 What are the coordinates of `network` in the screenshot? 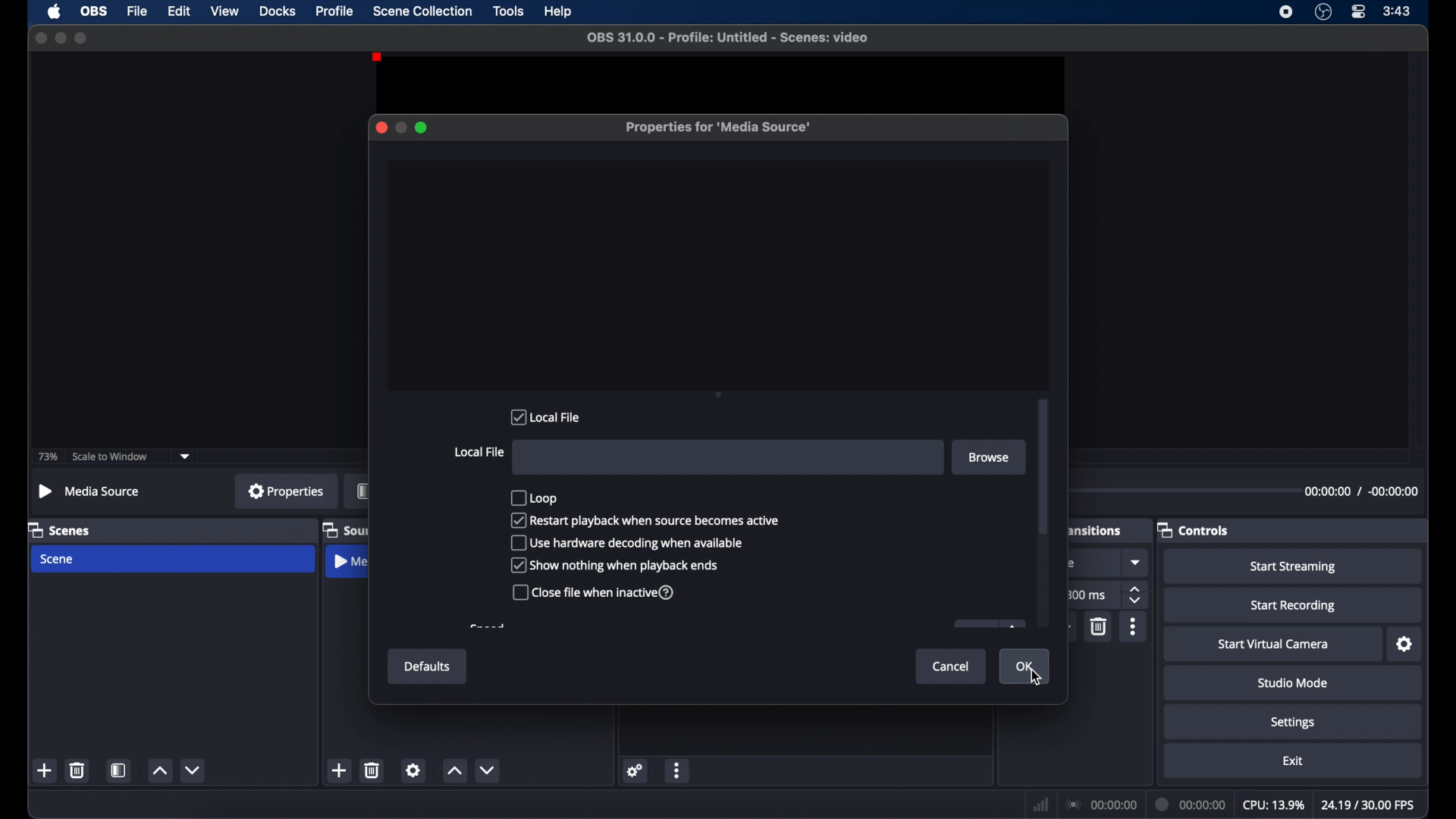 It's located at (1041, 805).